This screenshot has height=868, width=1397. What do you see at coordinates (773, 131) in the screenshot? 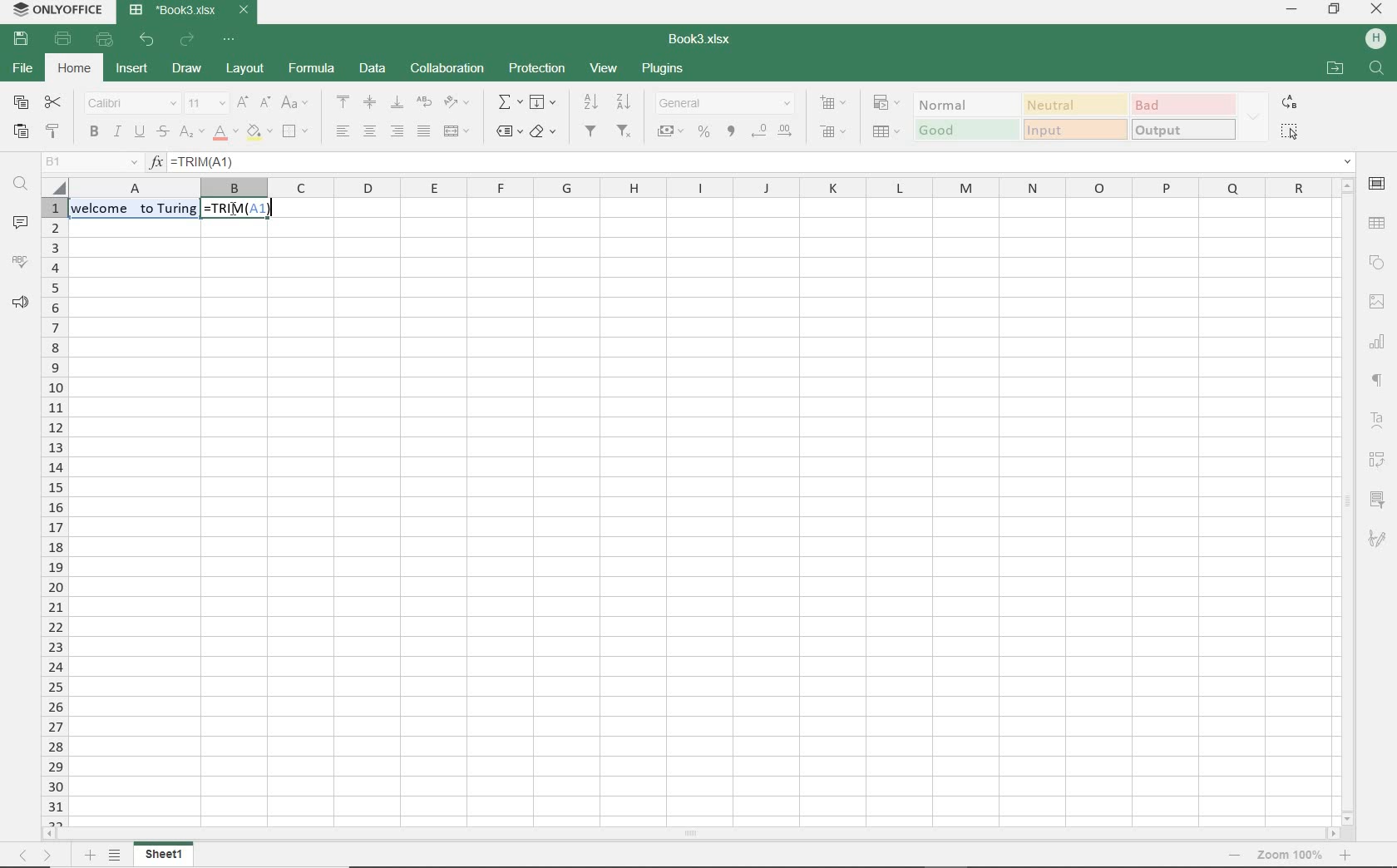
I see `change decimal` at bounding box center [773, 131].